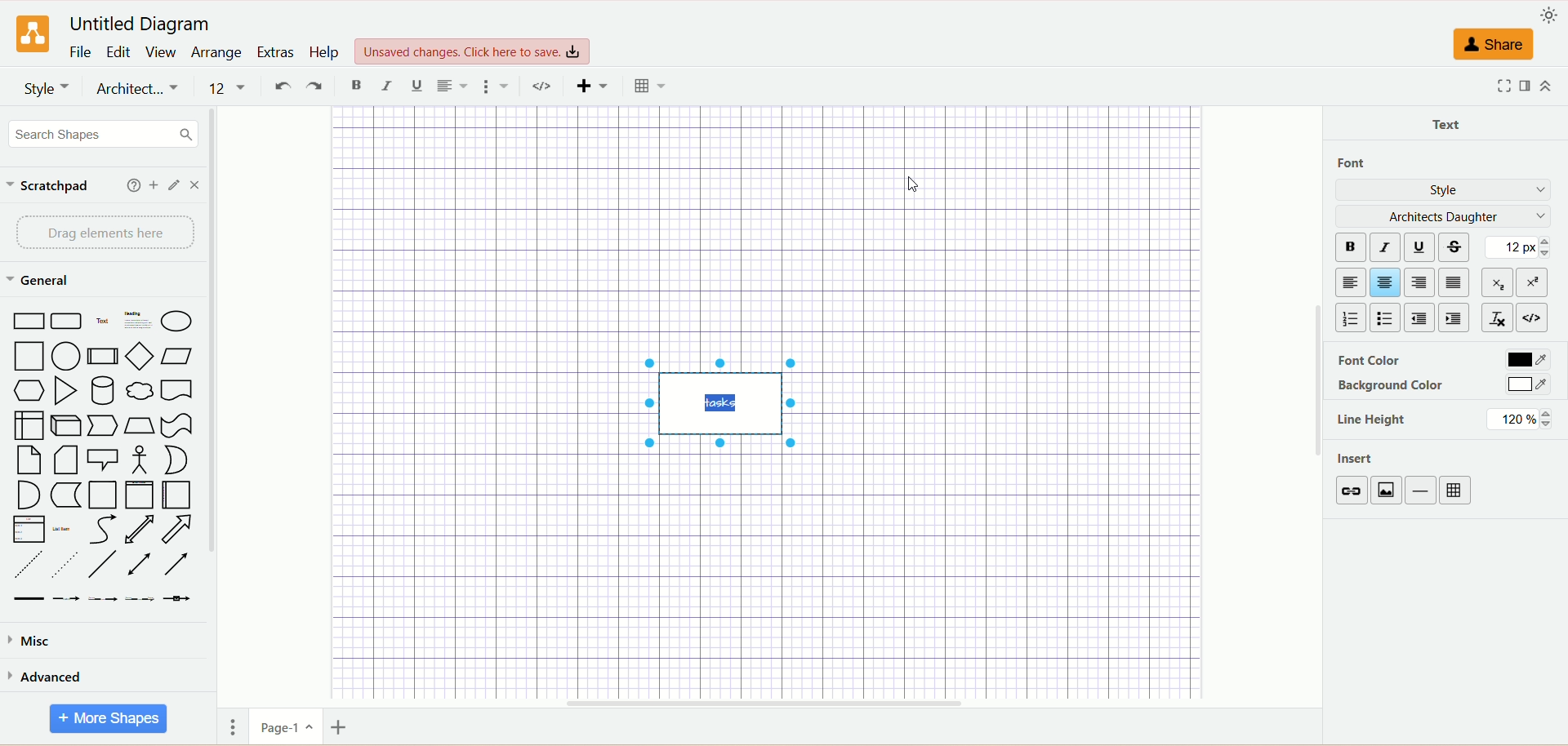  I want to click on Filled Bar, so click(29, 600).